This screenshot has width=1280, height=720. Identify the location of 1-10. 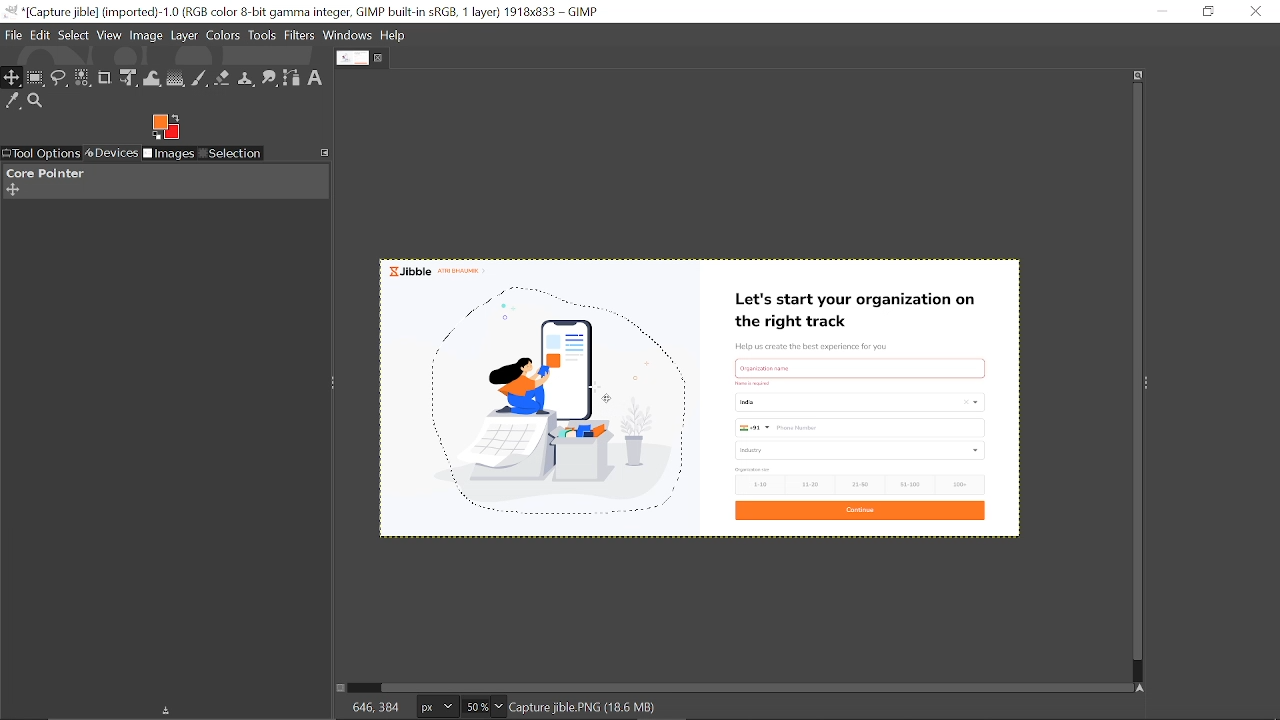
(754, 484).